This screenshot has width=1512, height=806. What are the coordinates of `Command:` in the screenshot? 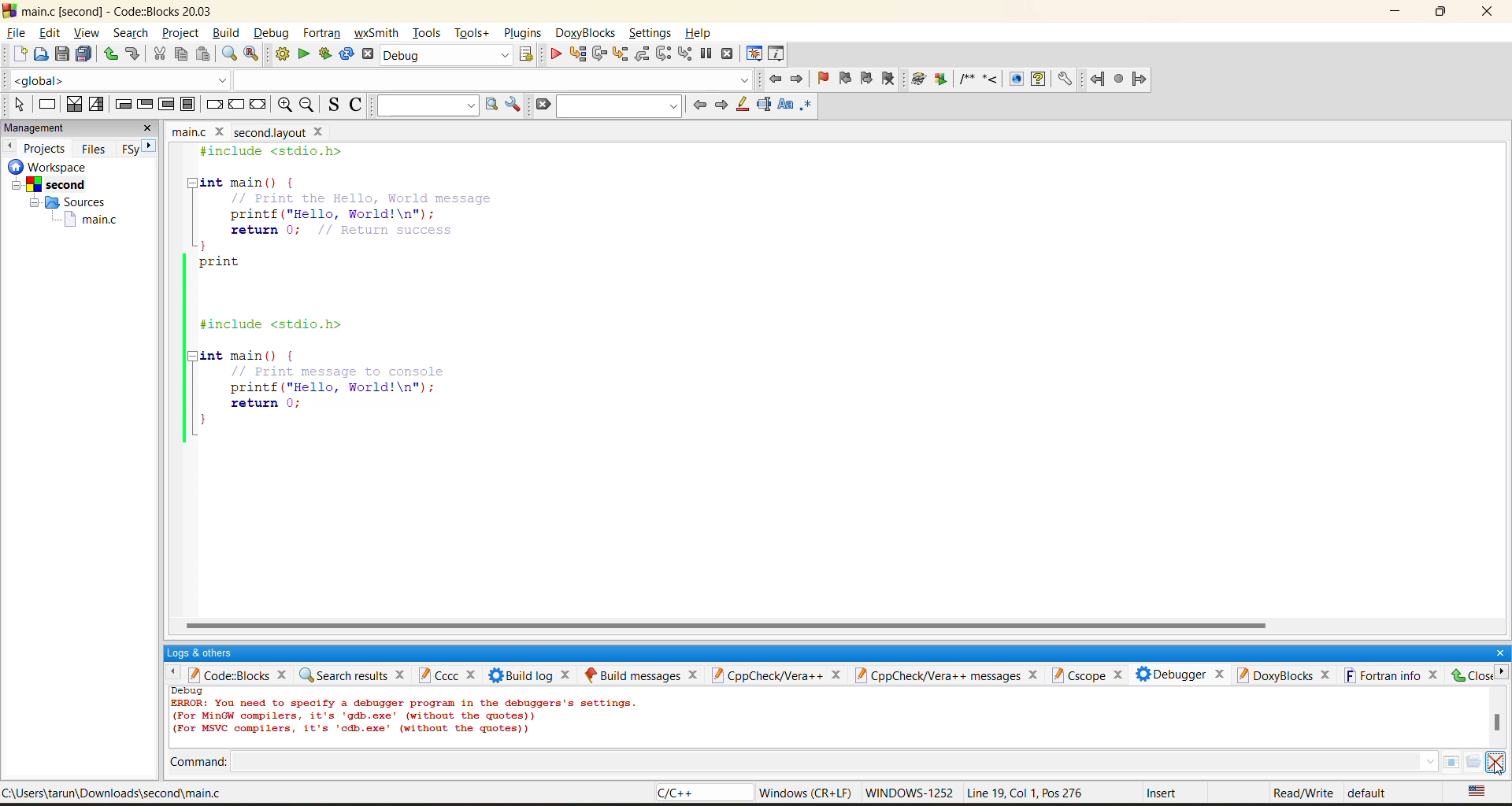 It's located at (208, 763).